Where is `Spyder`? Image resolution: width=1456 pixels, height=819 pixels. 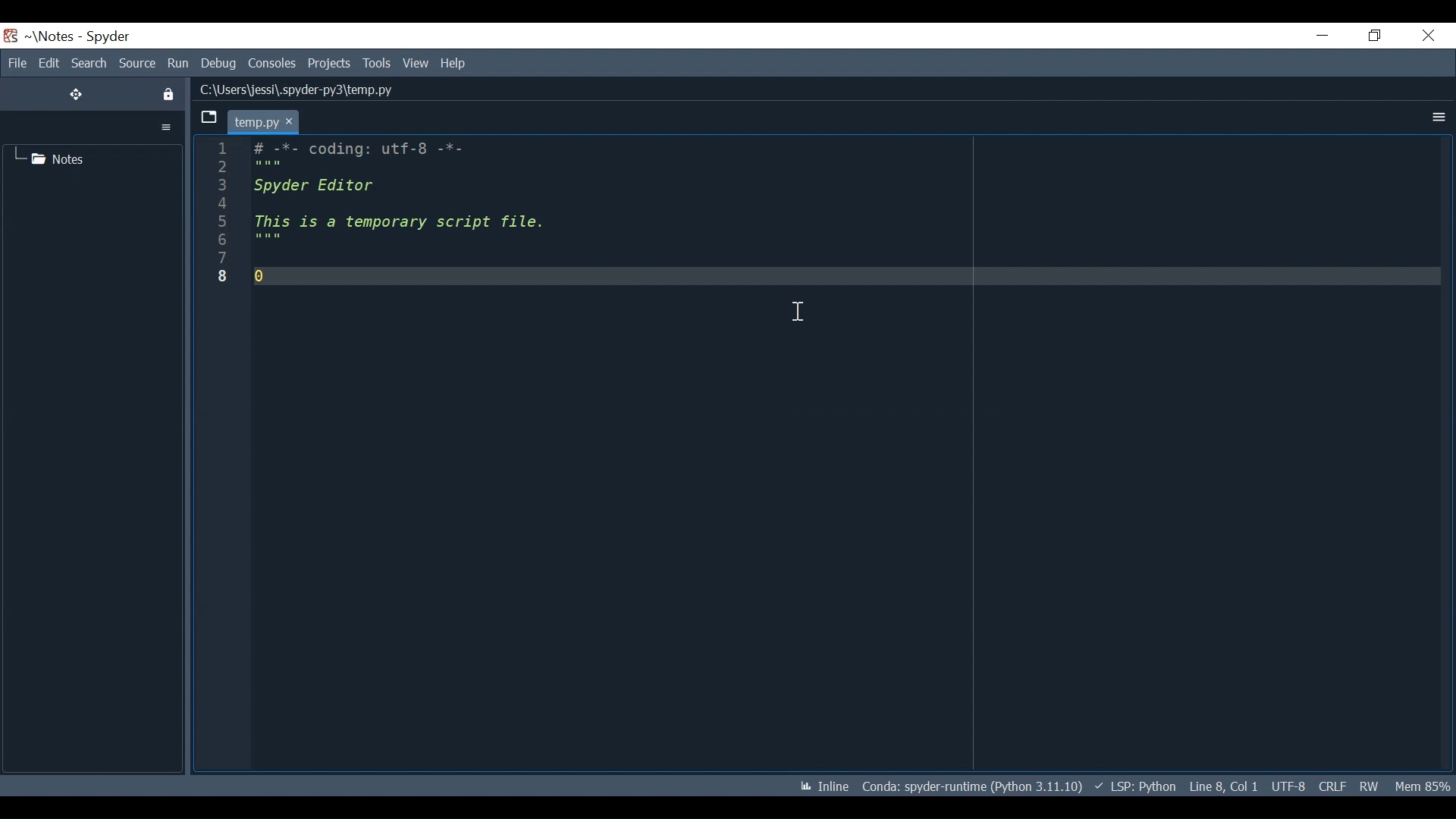 Spyder is located at coordinates (108, 36).